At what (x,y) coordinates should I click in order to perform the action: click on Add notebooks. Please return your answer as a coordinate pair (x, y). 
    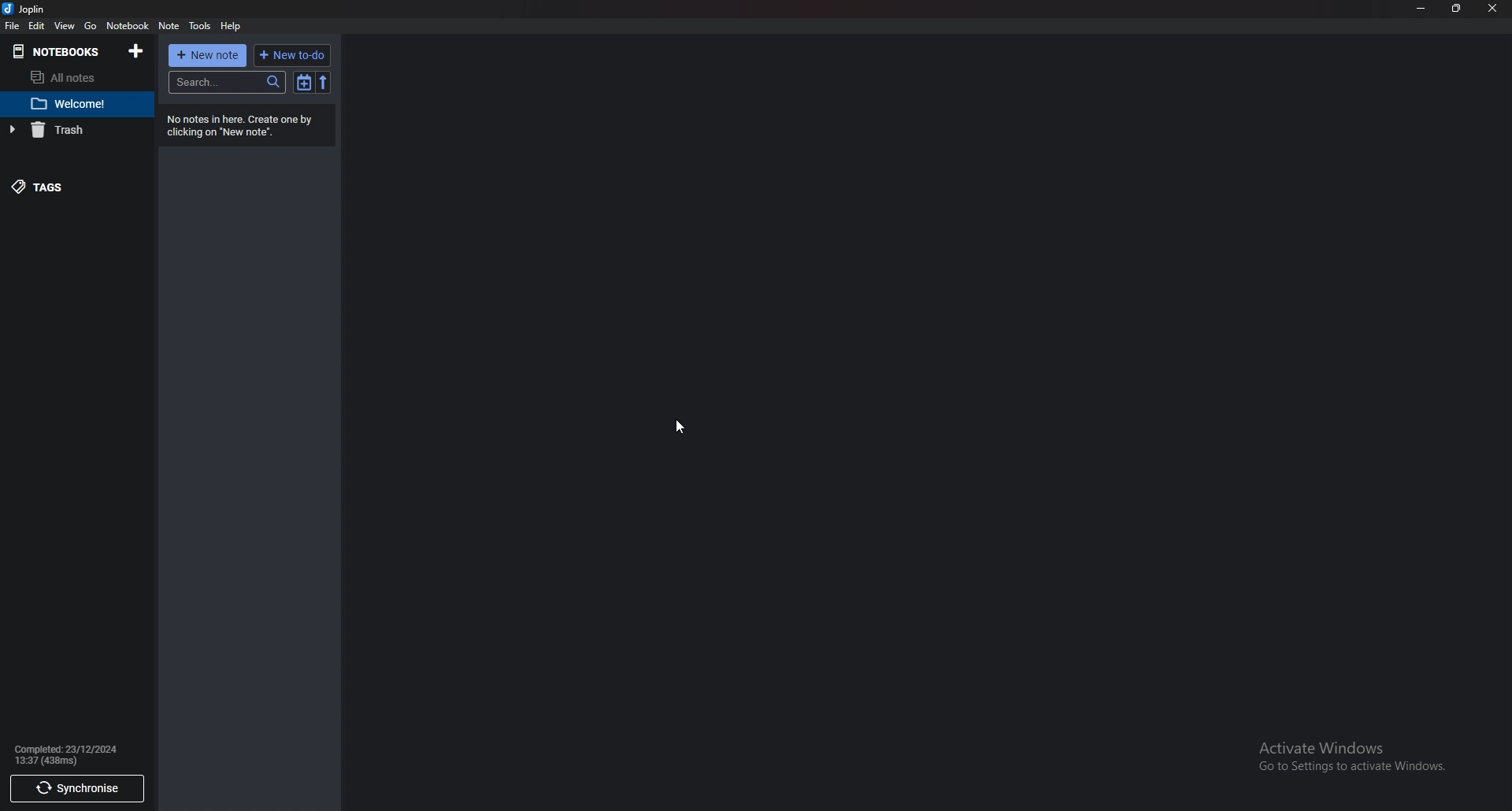
    Looking at the image, I should click on (137, 51).